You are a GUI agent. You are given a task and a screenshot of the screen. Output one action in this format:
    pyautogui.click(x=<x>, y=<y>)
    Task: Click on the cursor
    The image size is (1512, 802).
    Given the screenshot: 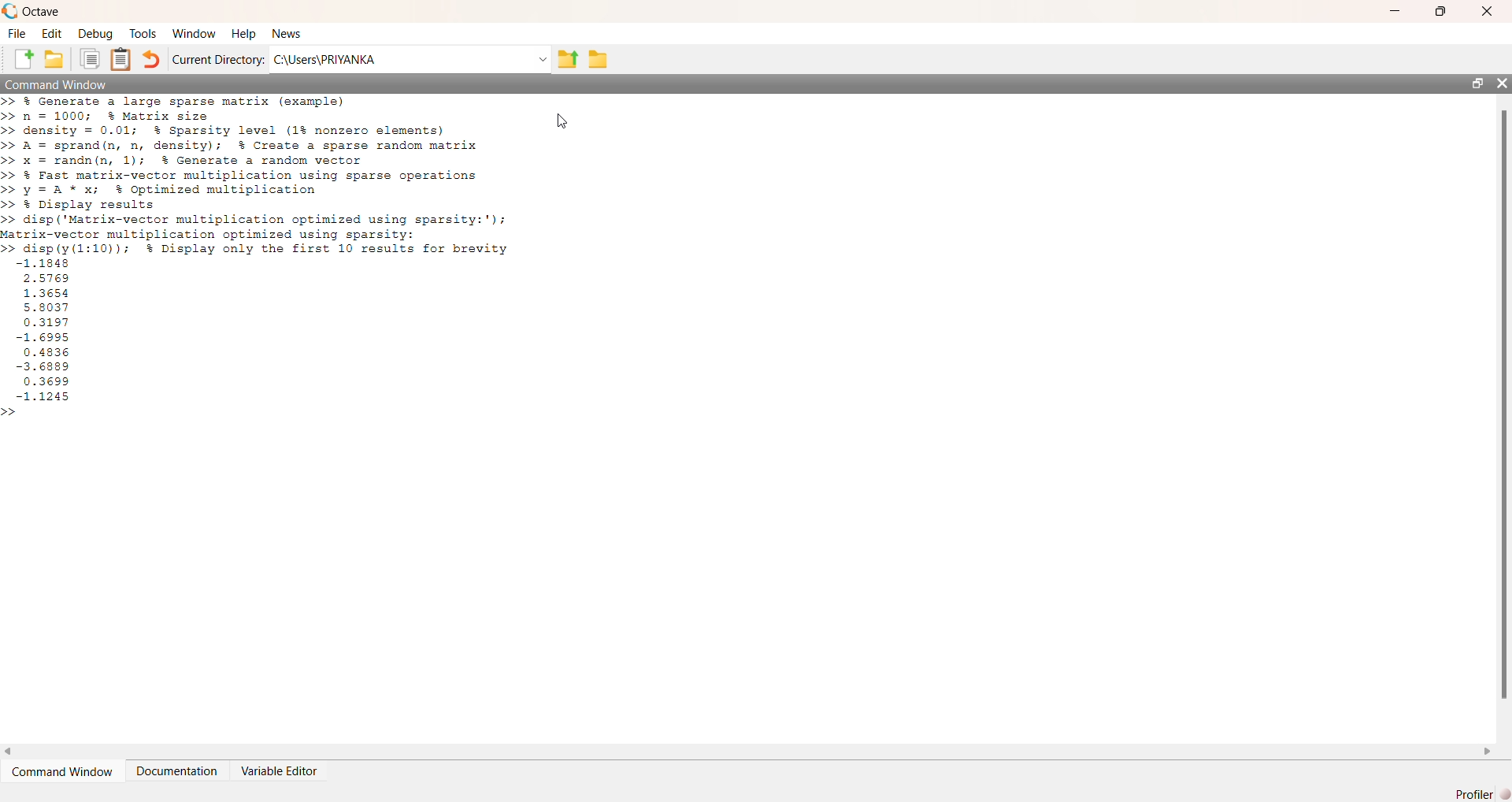 What is the action you would take?
    pyautogui.click(x=561, y=121)
    